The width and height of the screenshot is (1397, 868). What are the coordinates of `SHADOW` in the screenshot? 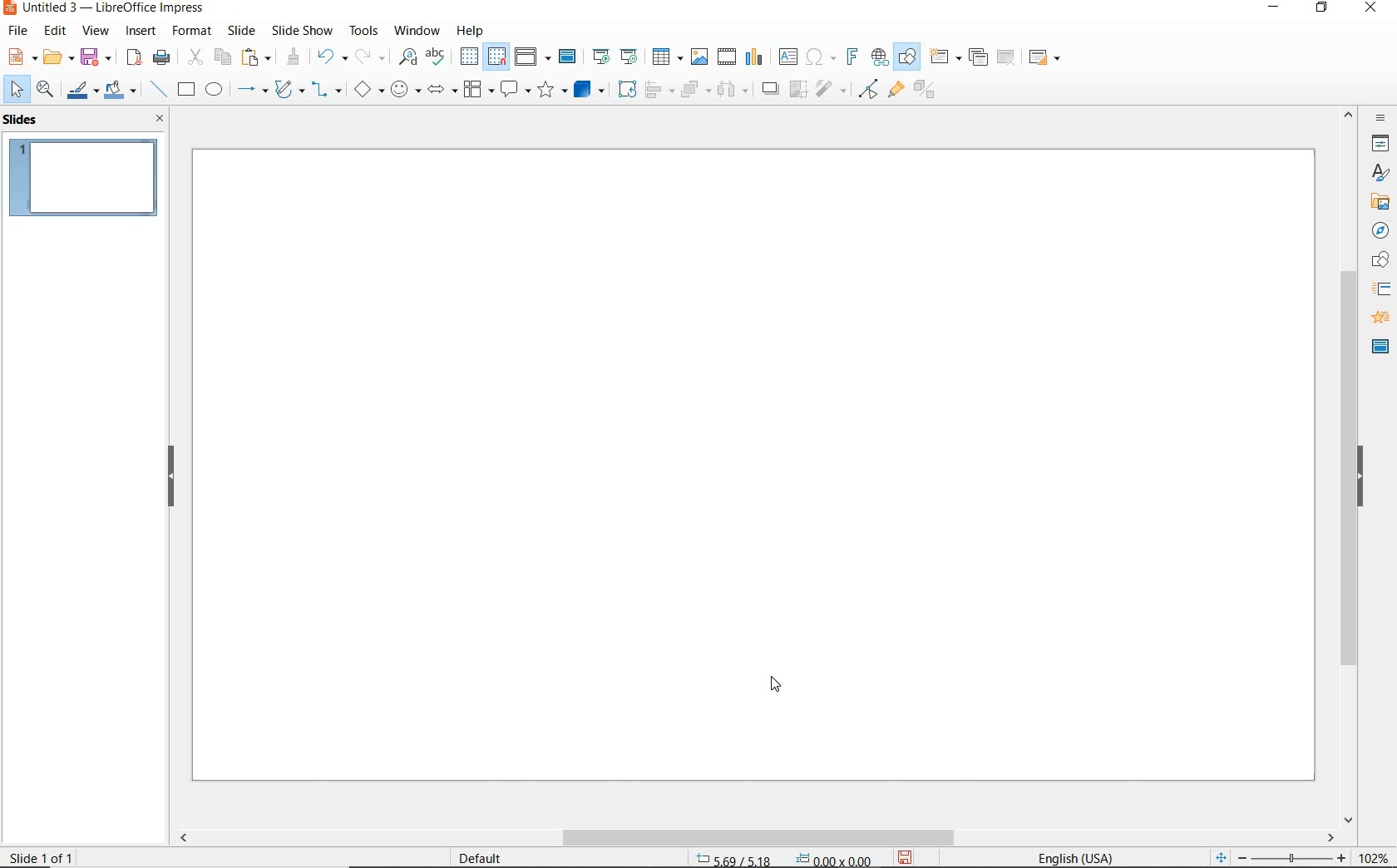 It's located at (769, 89).